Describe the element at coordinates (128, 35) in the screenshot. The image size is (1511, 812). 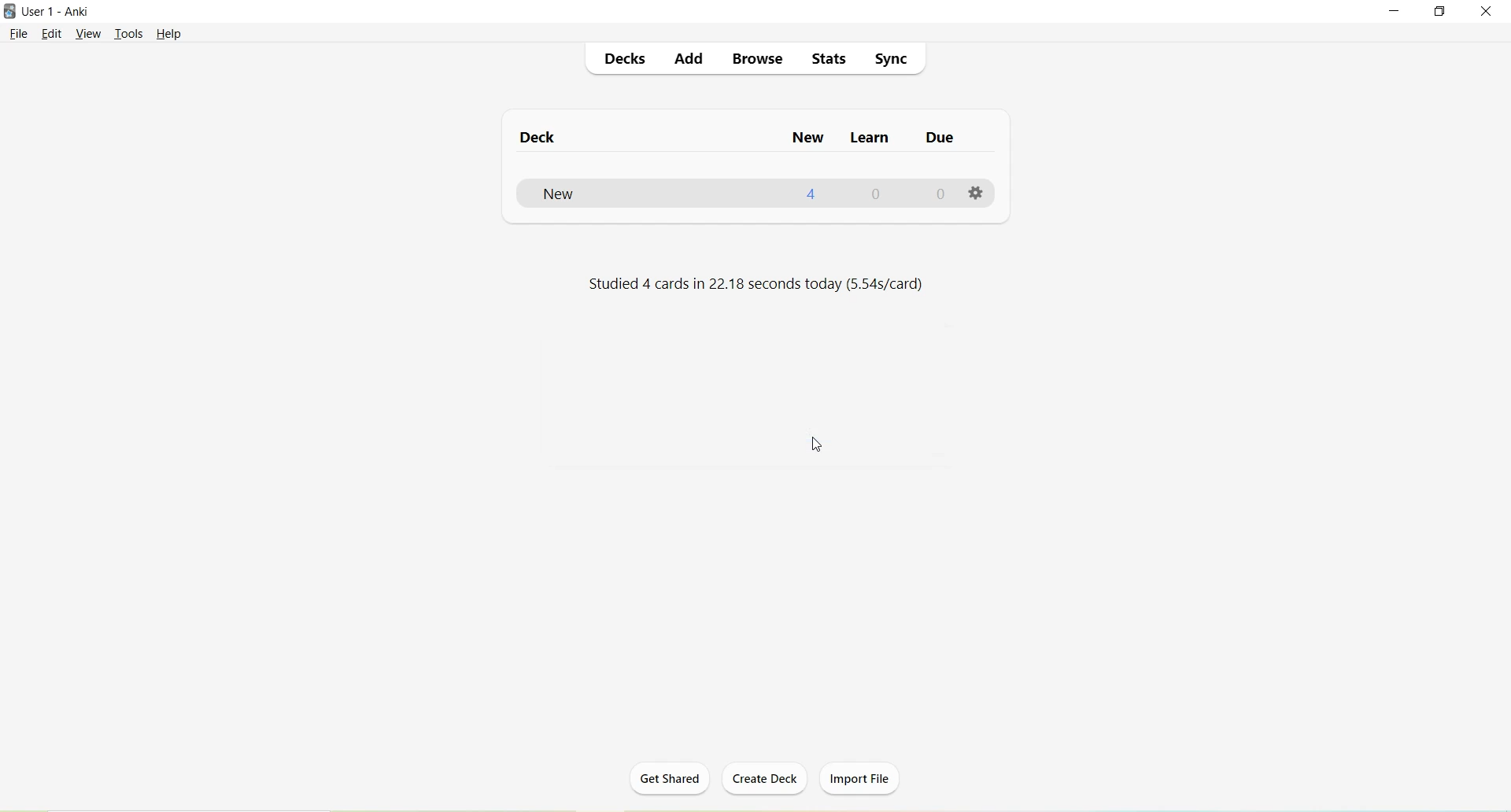
I see `Tools` at that location.